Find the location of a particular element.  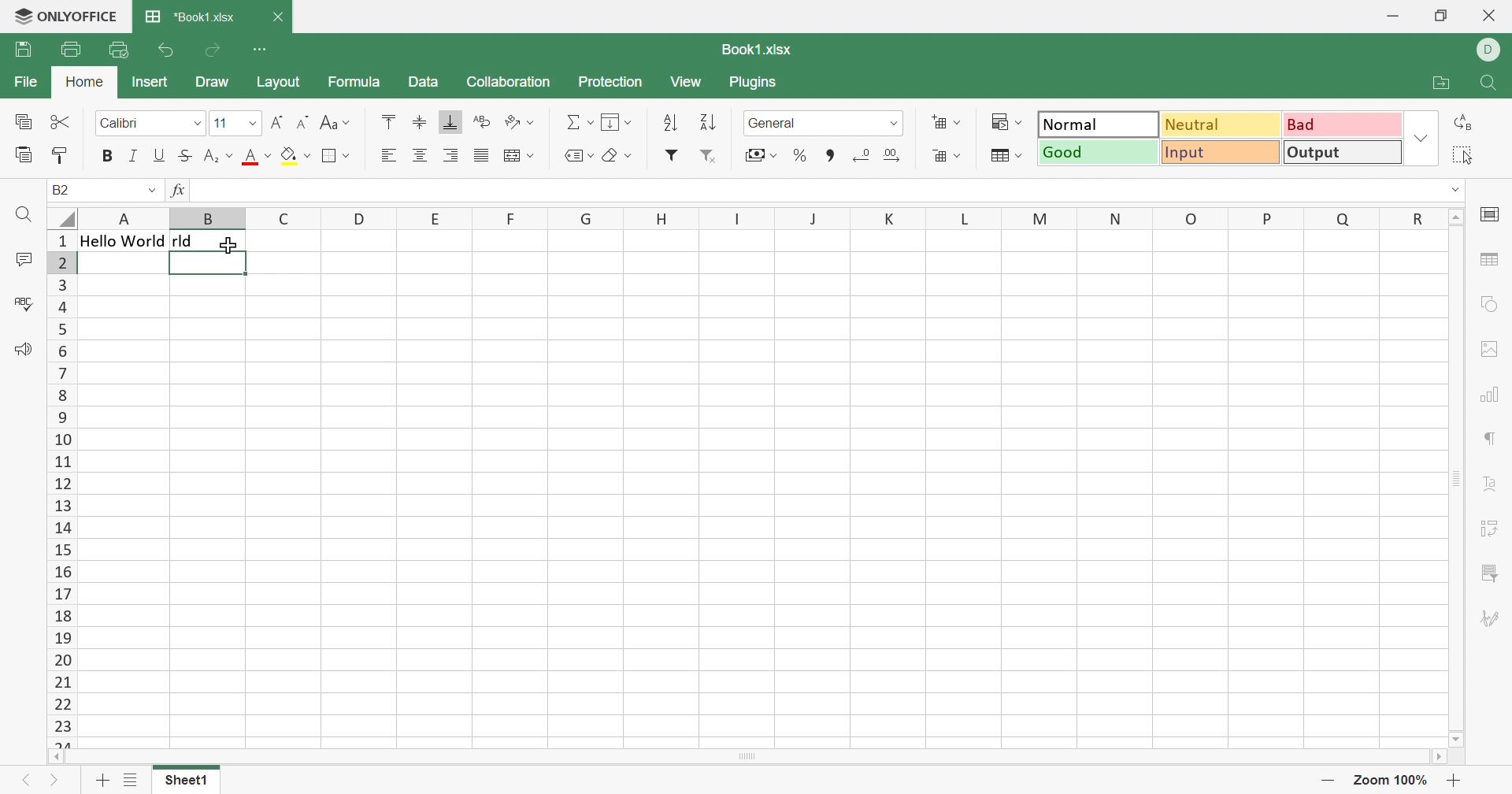

paragraph settings is located at coordinates (1491, 438).